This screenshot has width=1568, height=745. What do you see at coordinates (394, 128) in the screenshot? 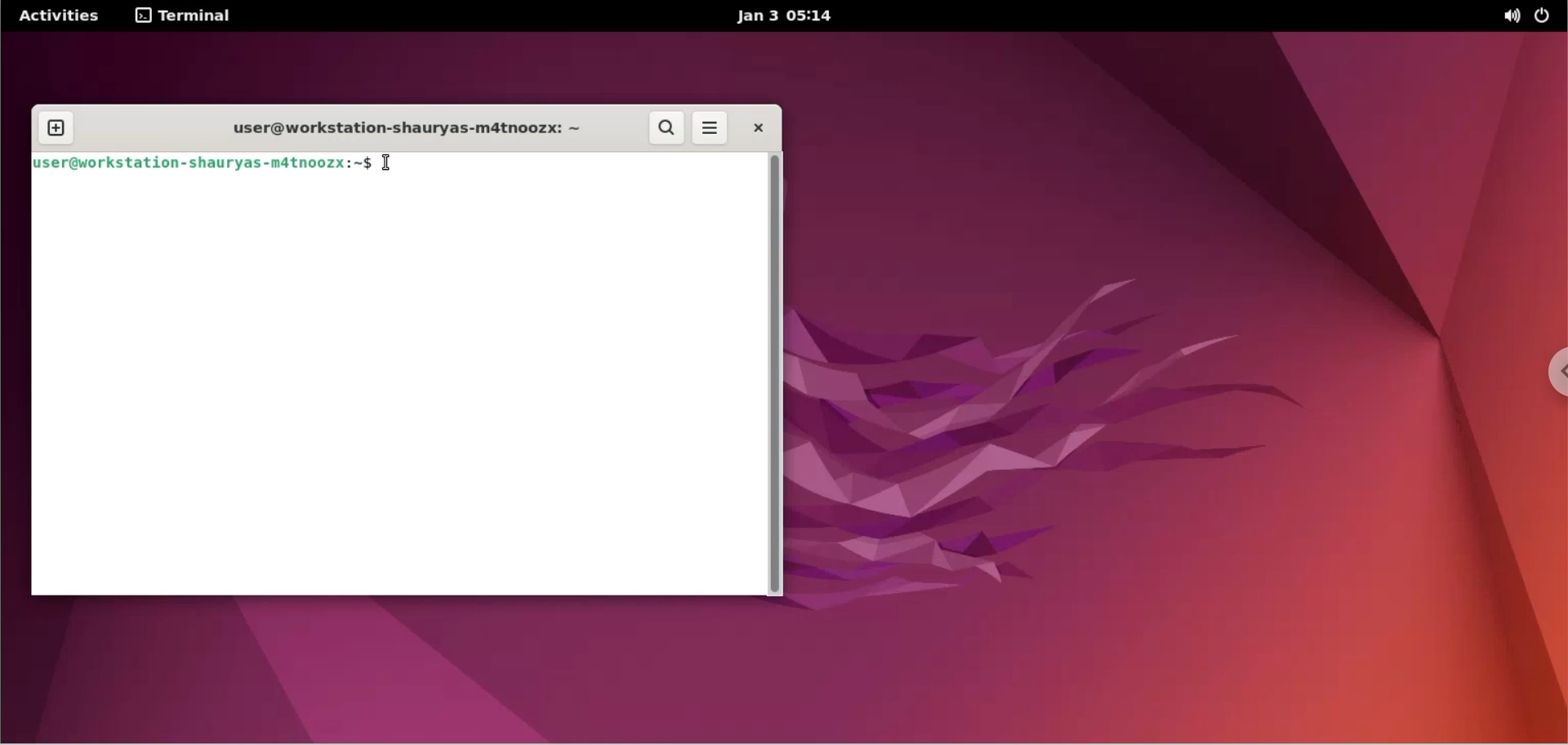
I see `user@workstation-shauryas-m4tnoozx: ~` at bounding box center [394, 128].